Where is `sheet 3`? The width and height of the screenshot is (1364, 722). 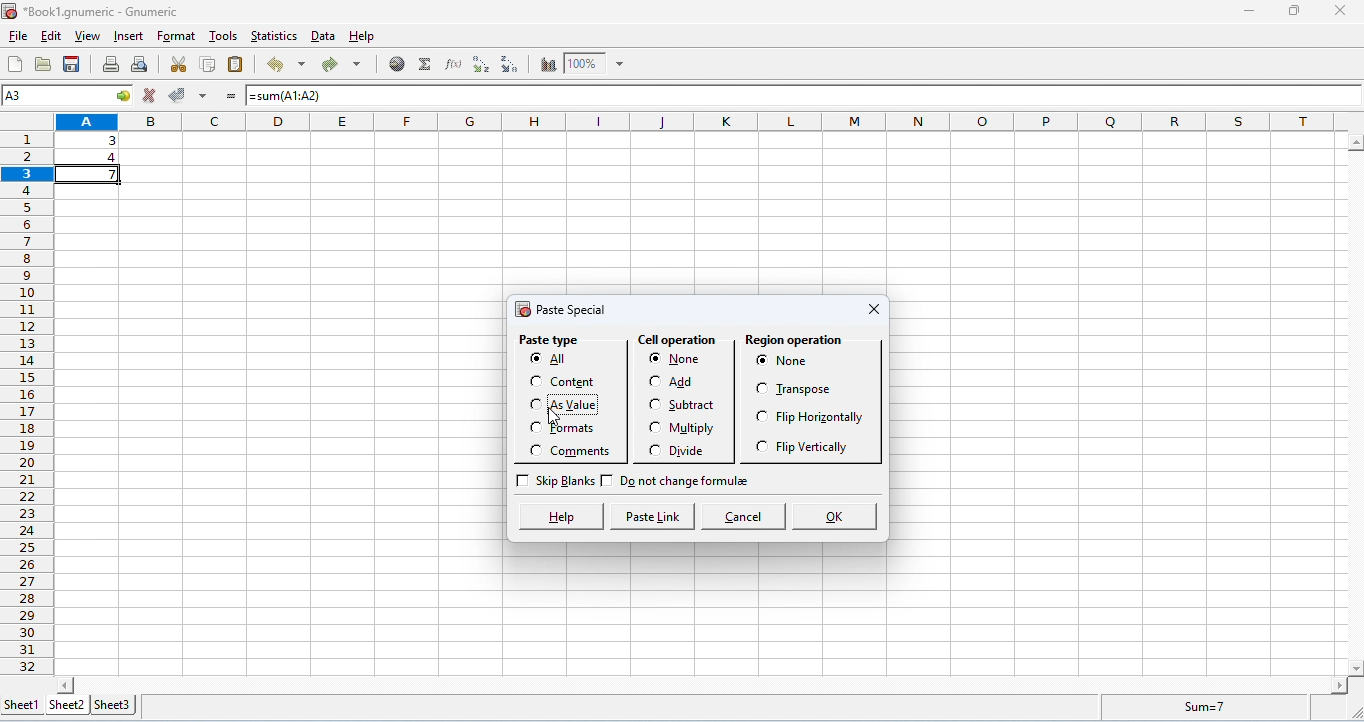
sheet 3 is located at coordinates (113, 705).